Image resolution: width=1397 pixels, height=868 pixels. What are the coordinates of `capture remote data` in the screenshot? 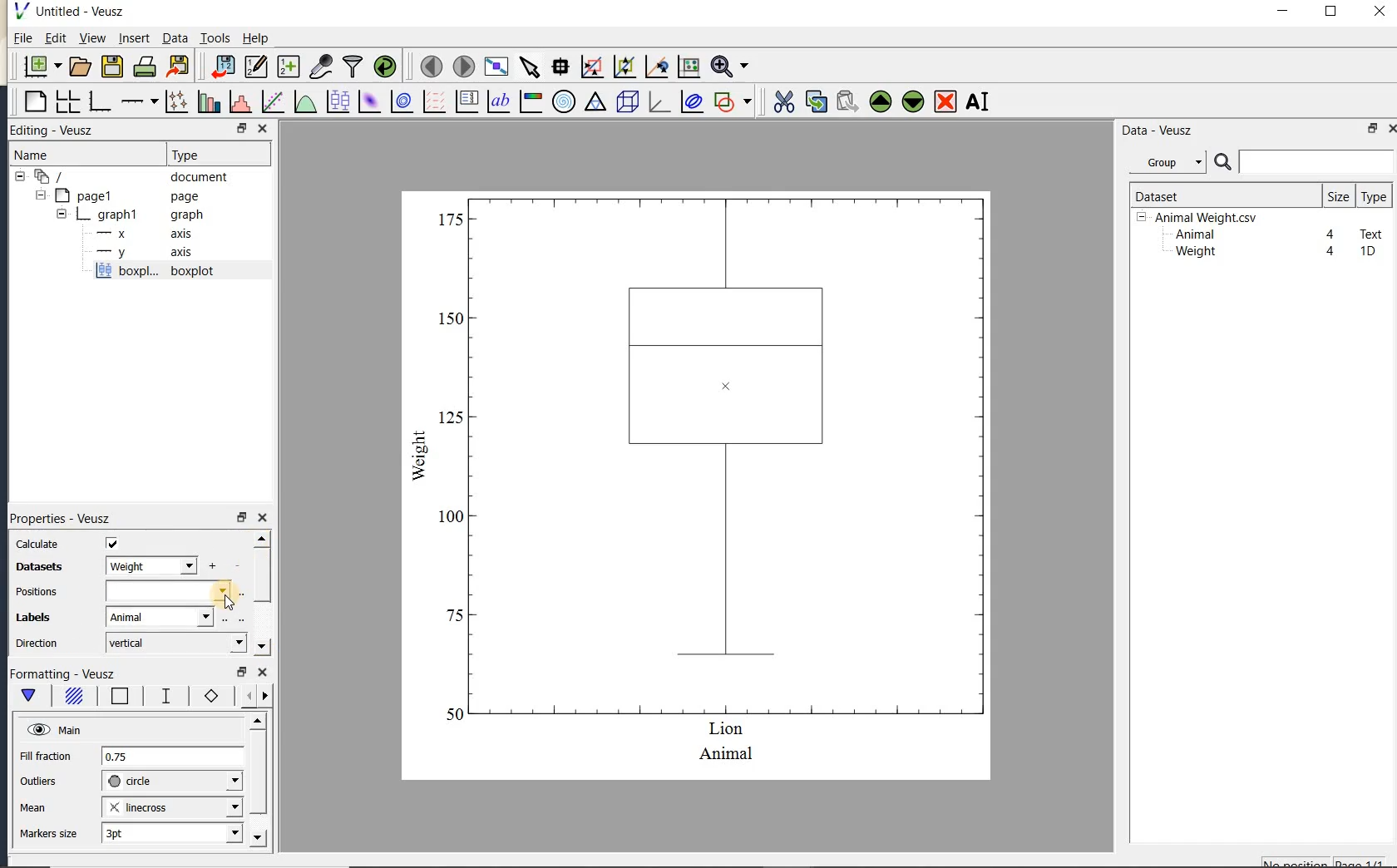 It's located at (321, 66).